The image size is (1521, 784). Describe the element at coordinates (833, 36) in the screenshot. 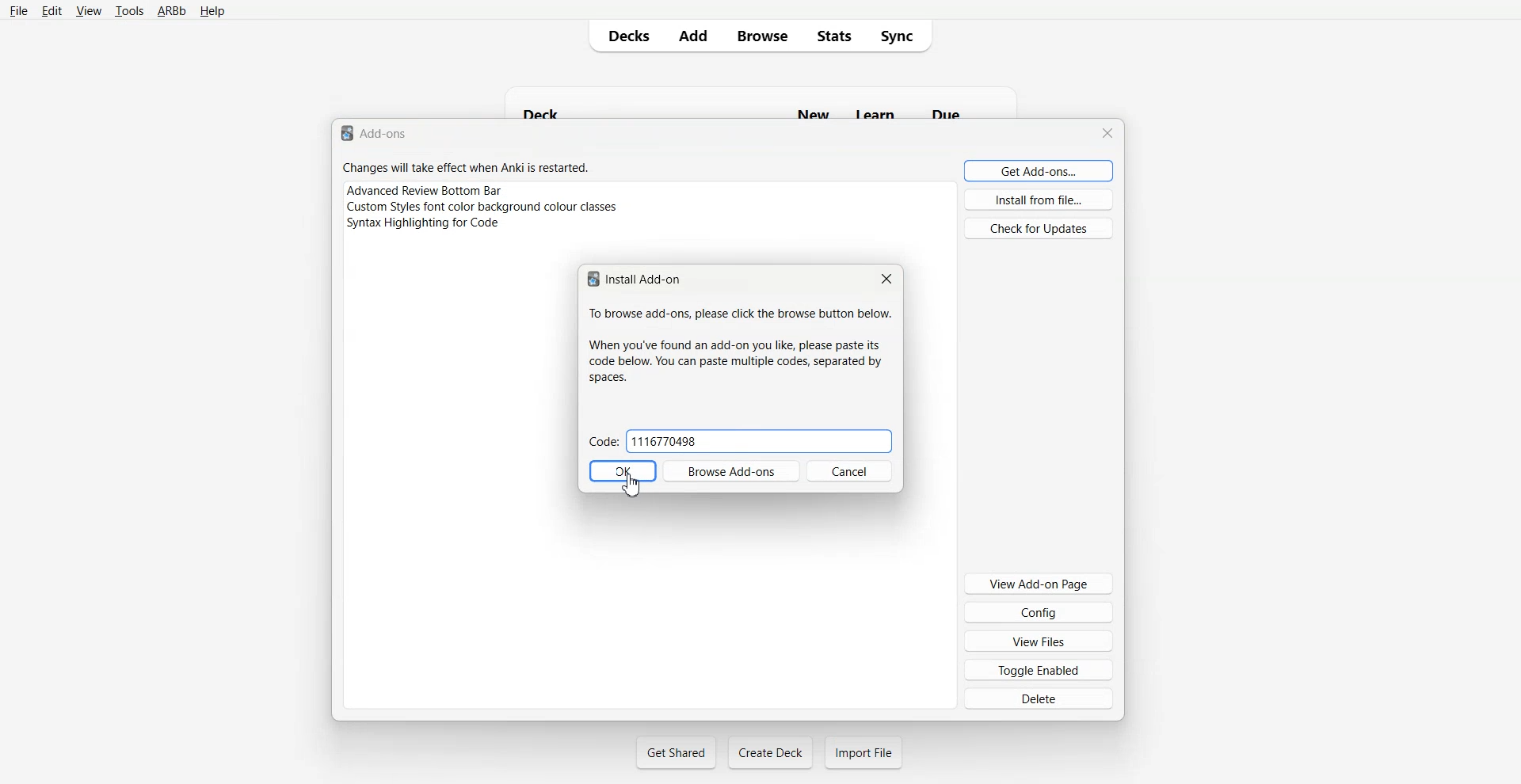

I see `Stats` at that location.